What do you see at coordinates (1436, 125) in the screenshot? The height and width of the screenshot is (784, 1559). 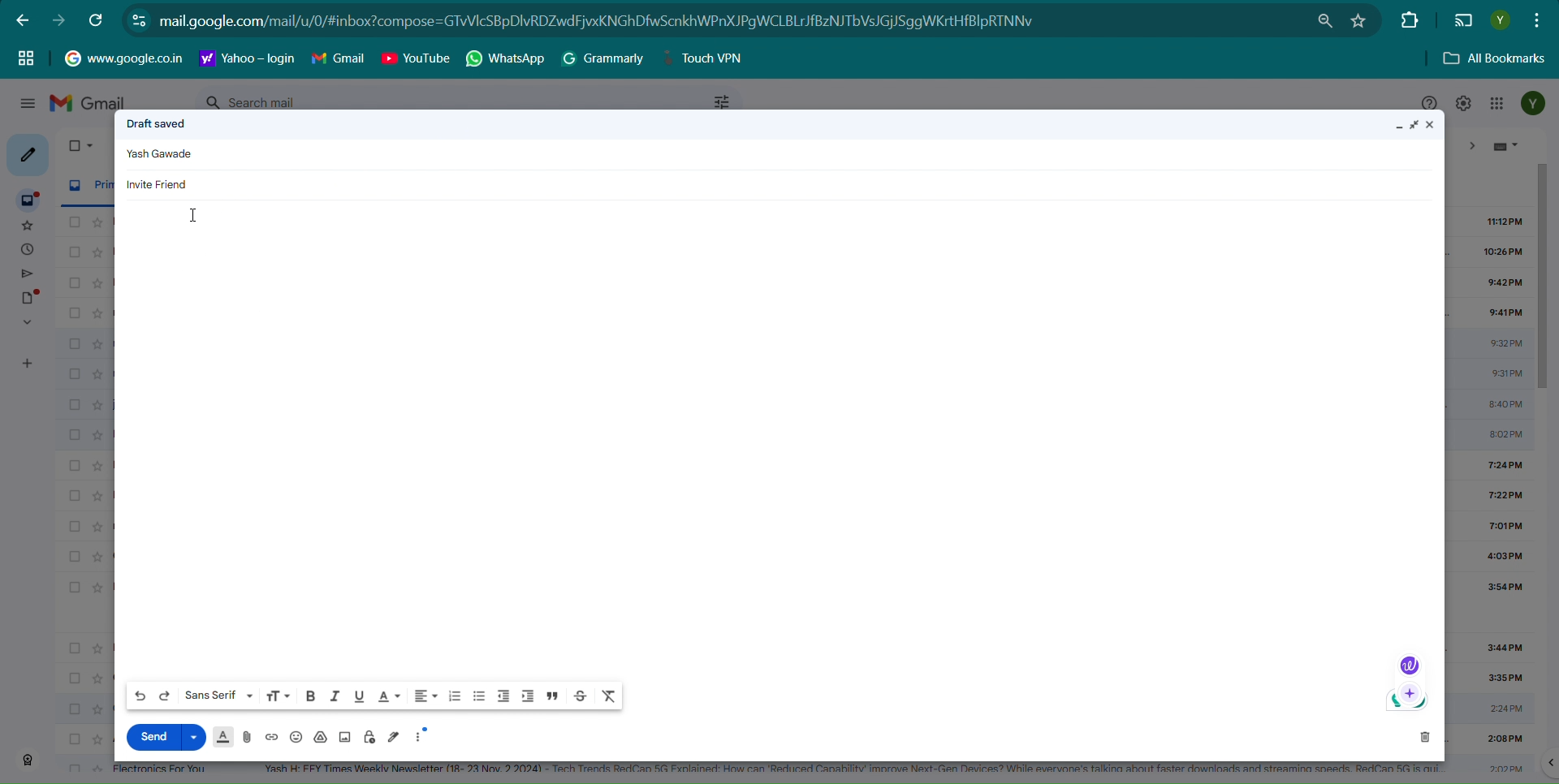 I see `Close` at bounding box center [1436, 125].